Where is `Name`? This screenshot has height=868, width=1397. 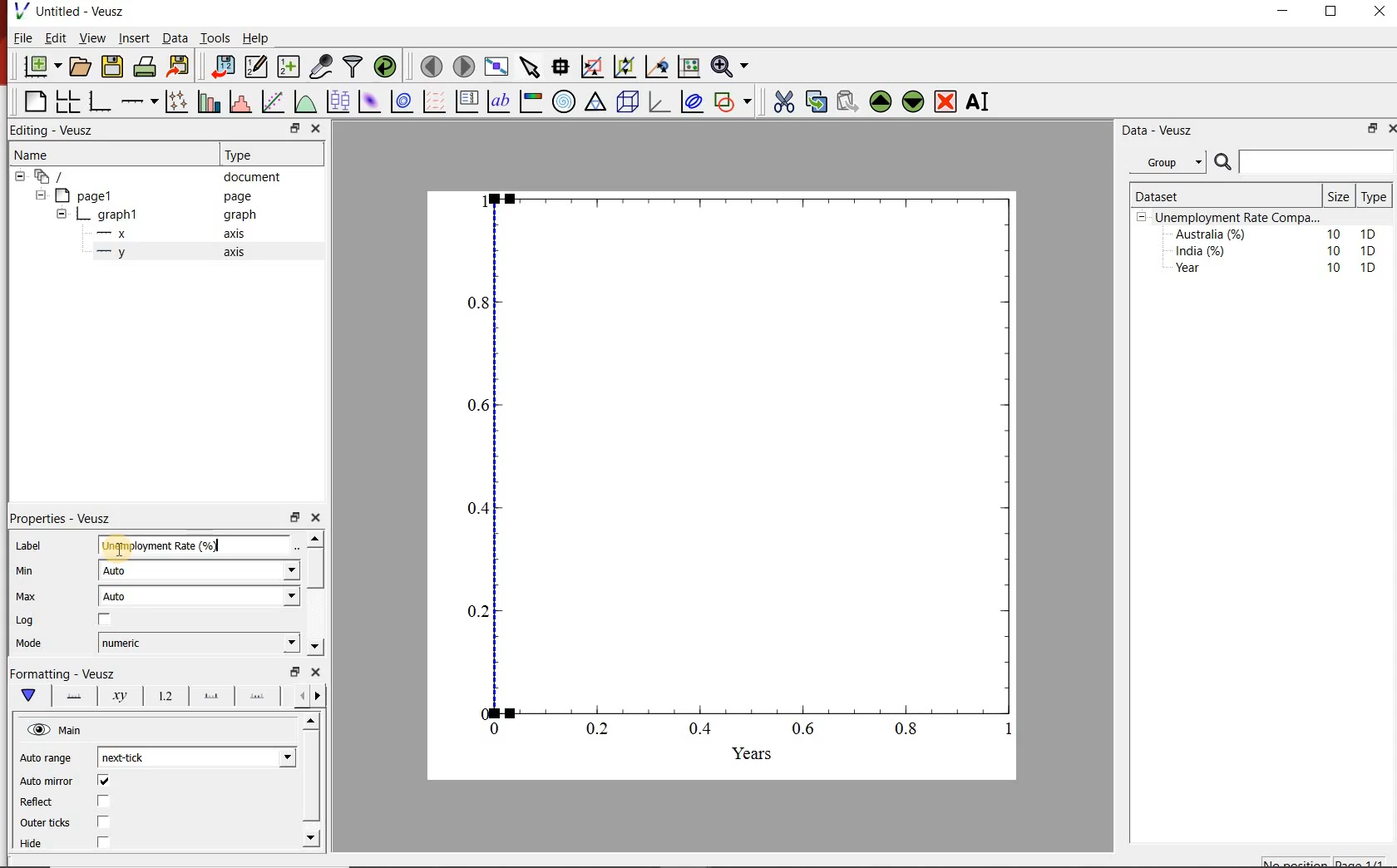 Name is located at coordinates (105, 153).